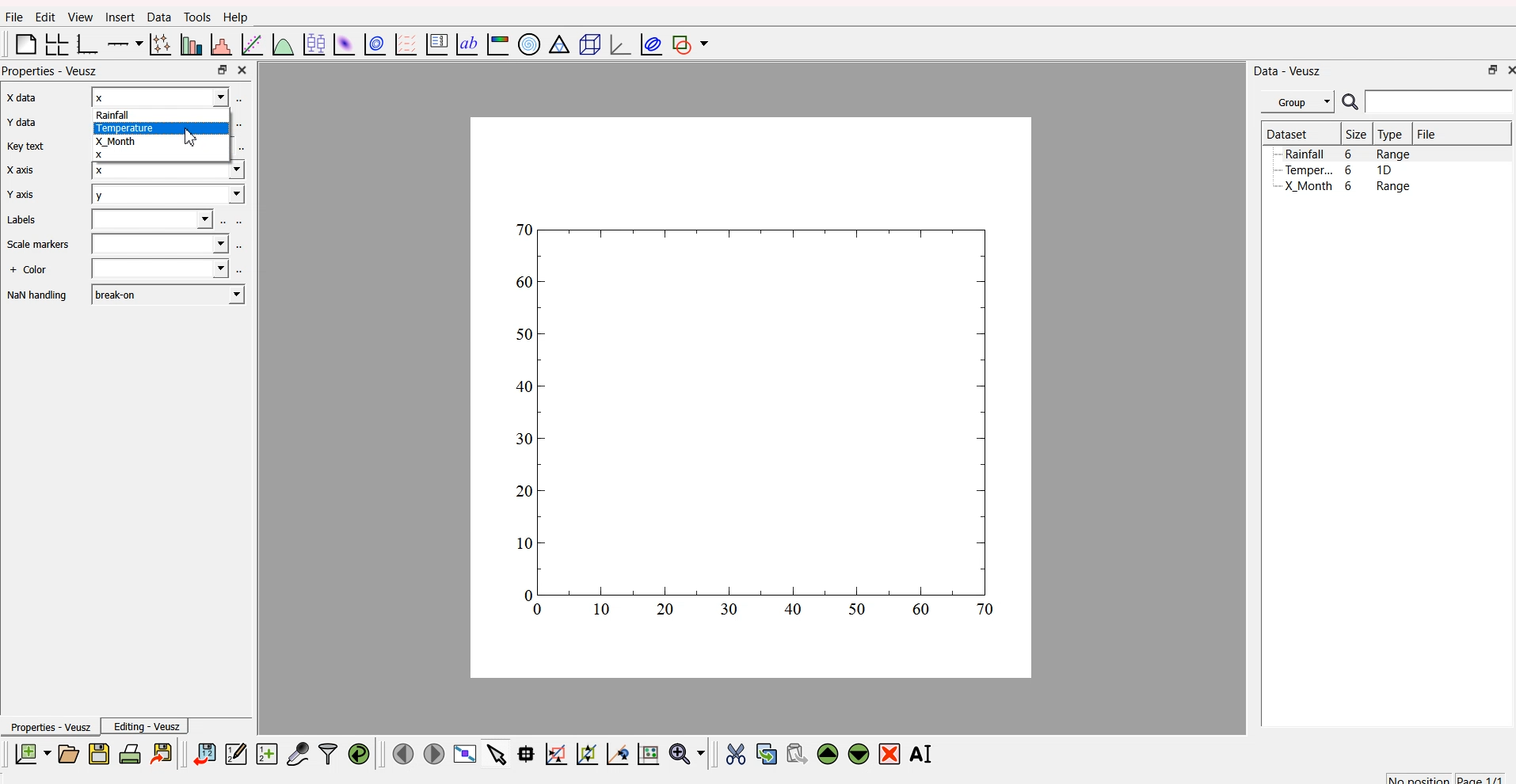  I want to click on field, so click(158, 270).